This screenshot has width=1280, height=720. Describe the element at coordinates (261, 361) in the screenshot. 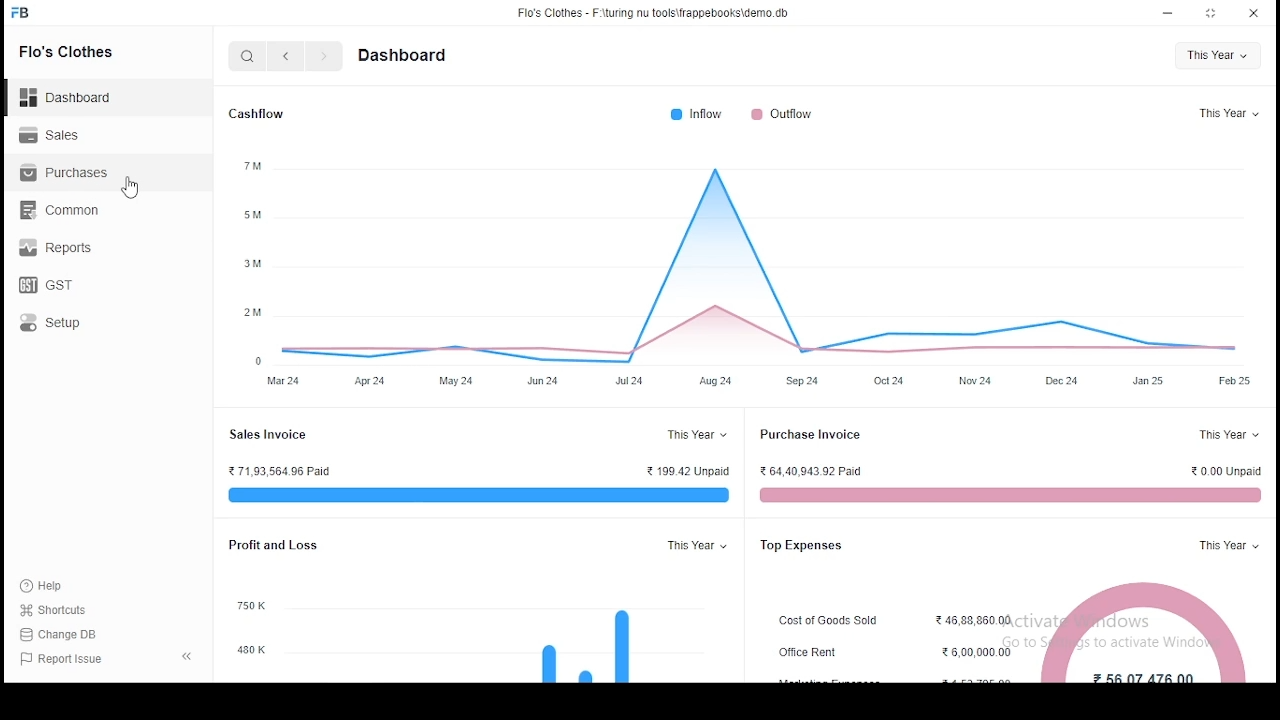

I see `0` at that location.